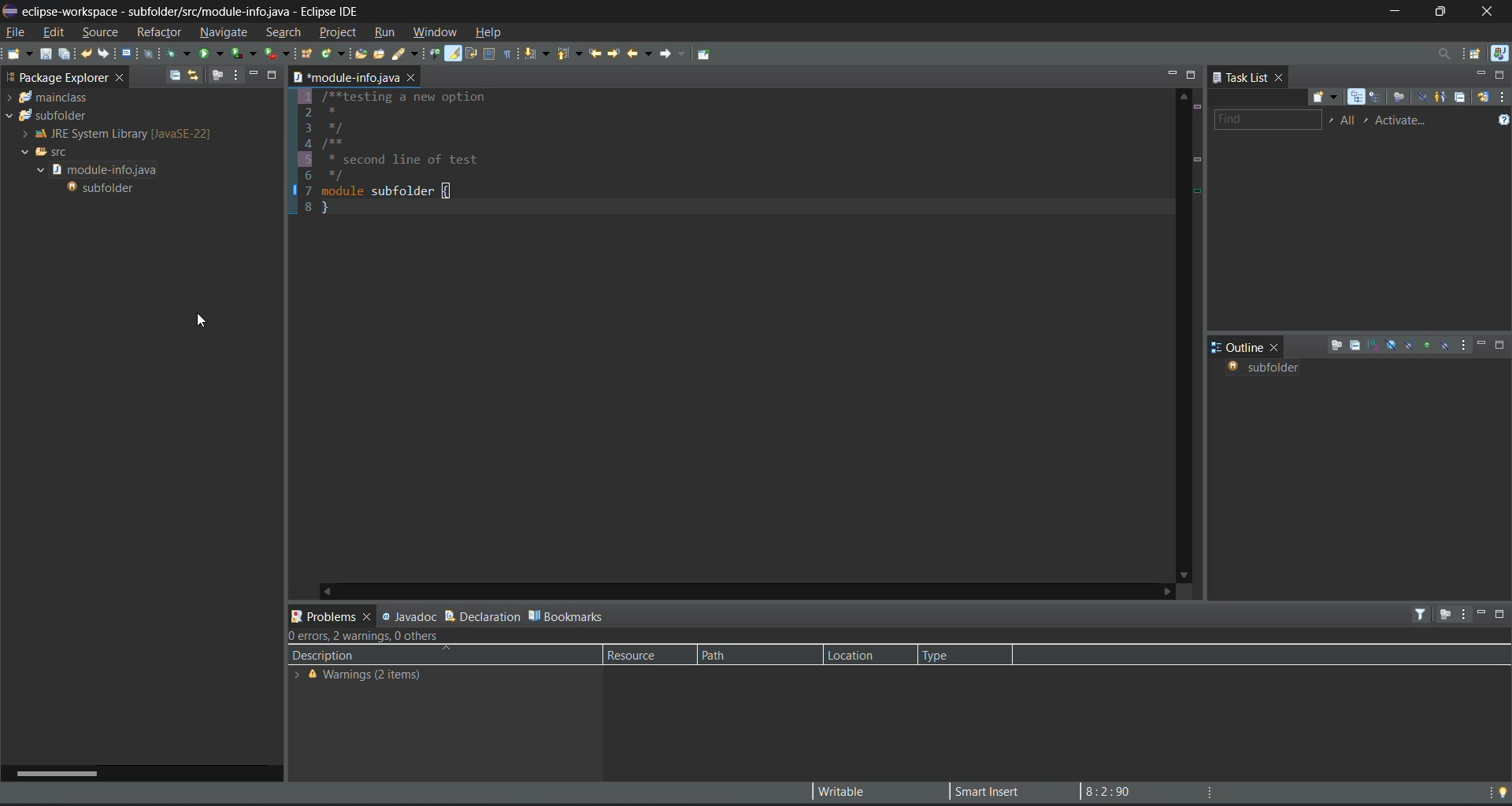 The image size is (1512, 806). I want to click on hide local types, so click(1445, 346).